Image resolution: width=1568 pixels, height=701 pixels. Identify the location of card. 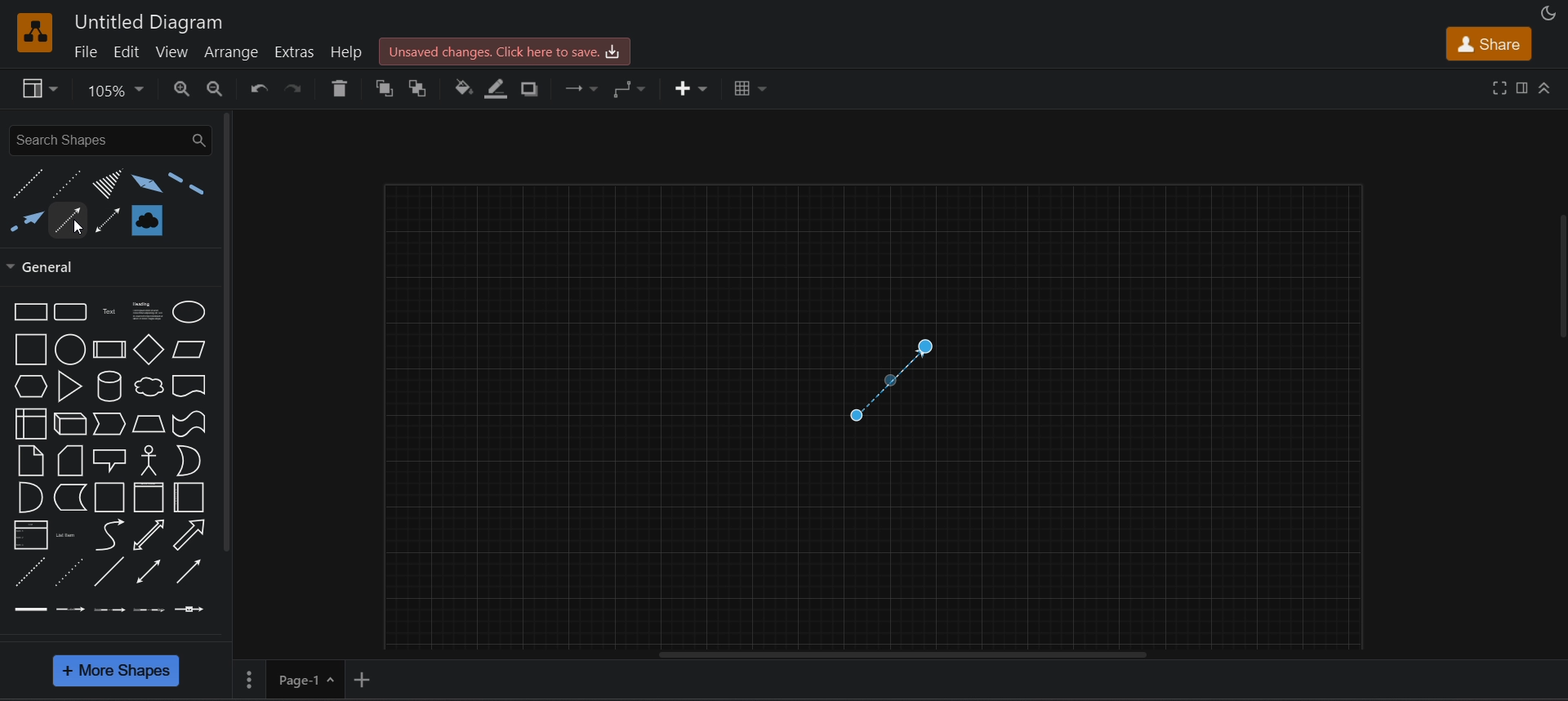
(70, 459).